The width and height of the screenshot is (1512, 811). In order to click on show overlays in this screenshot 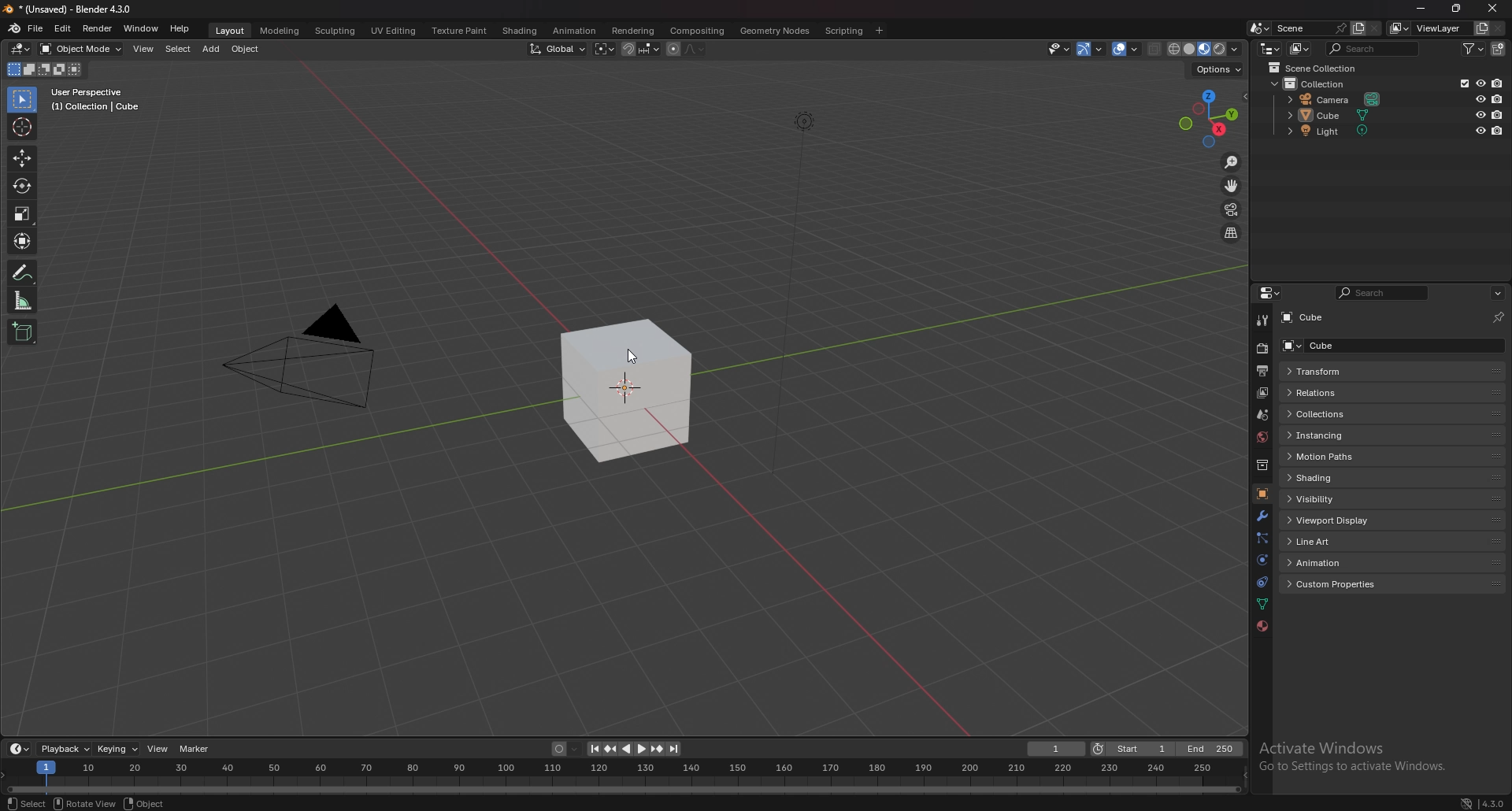, I will do `click(1127, 49)`.